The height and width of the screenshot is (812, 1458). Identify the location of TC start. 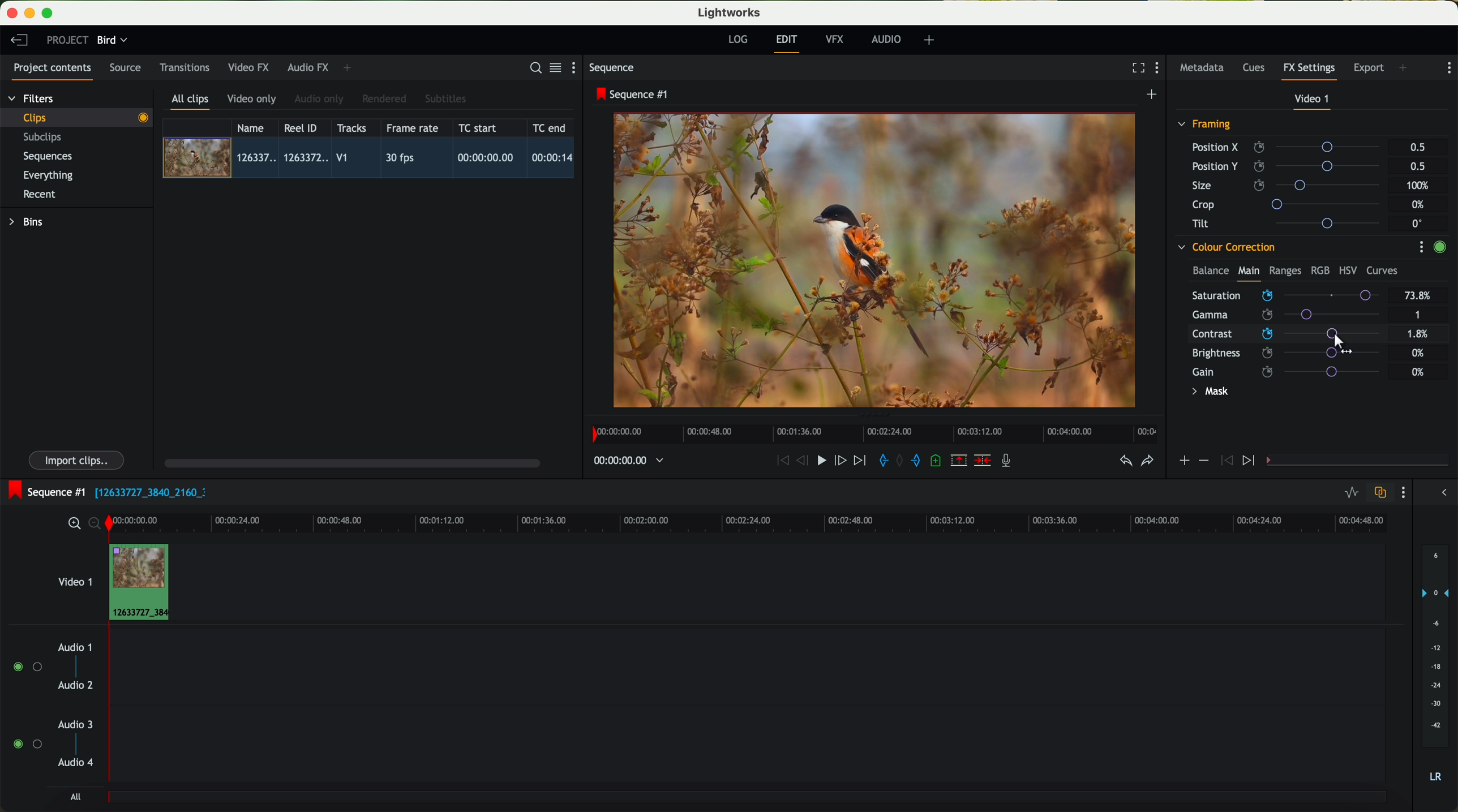
(479, 127).